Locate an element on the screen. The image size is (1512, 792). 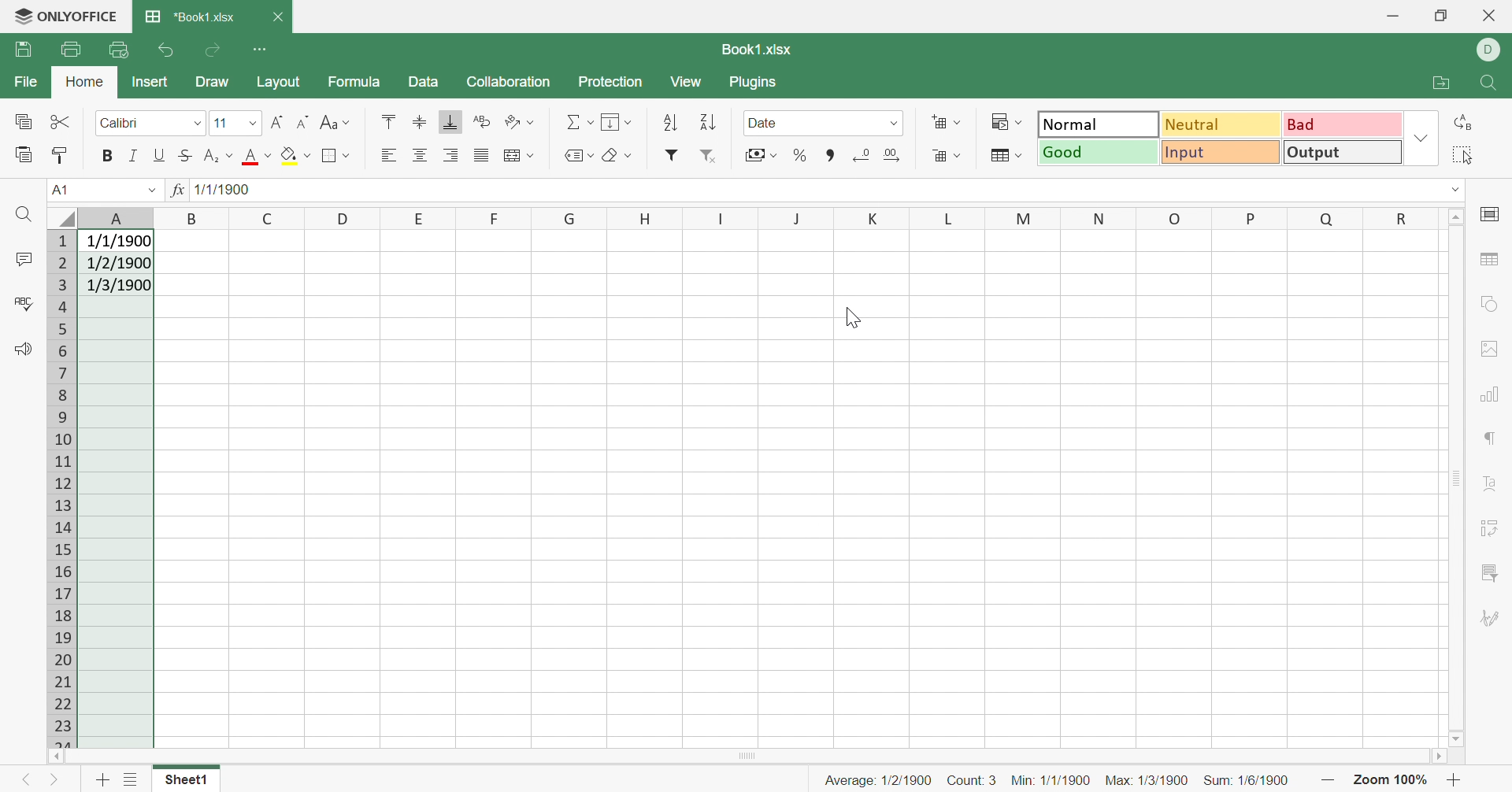
Bold is located at coordinates (109, 154).